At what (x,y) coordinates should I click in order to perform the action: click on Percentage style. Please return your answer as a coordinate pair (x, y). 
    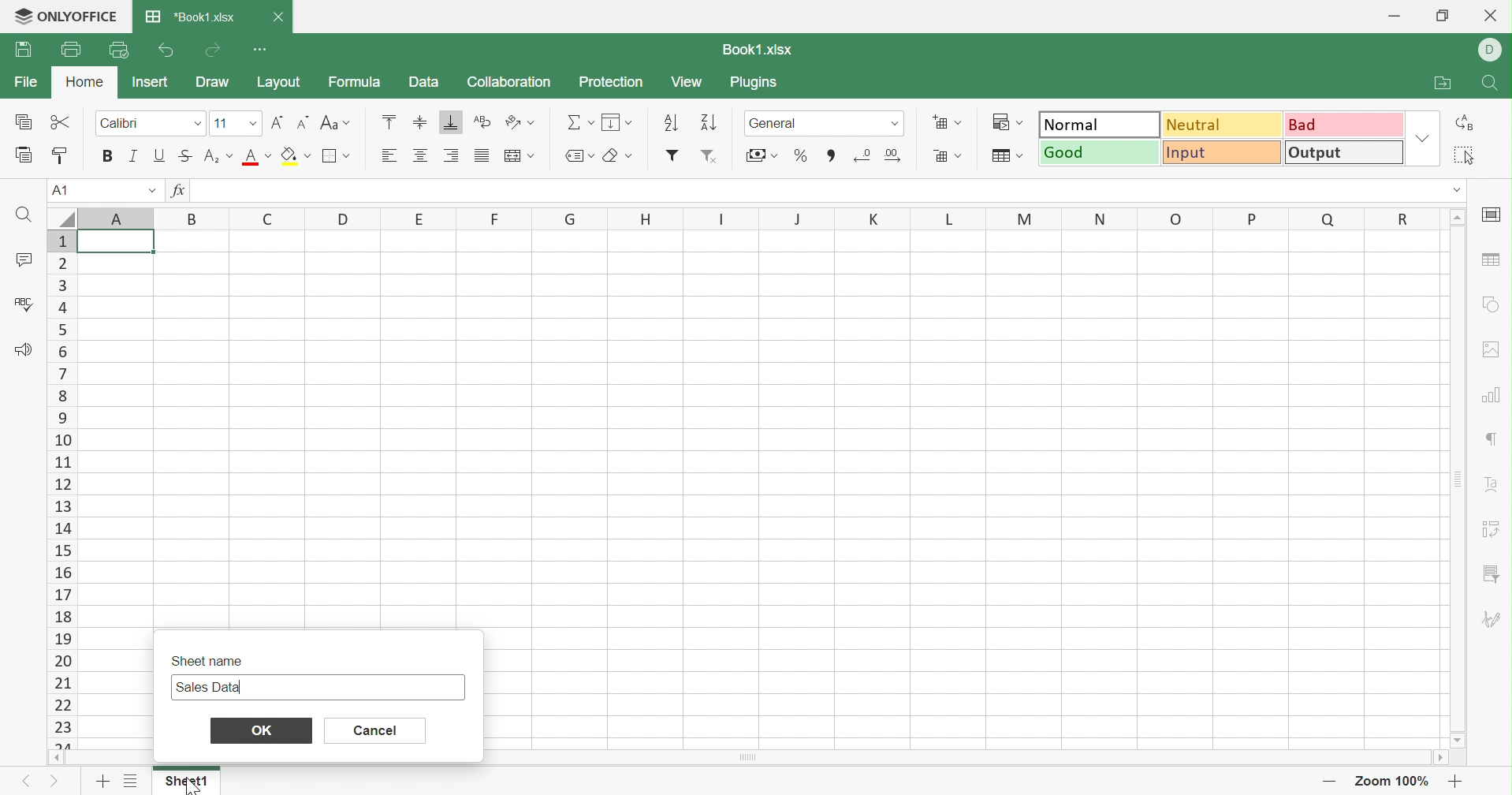
    Looking at the image, I should click on (803, 156).